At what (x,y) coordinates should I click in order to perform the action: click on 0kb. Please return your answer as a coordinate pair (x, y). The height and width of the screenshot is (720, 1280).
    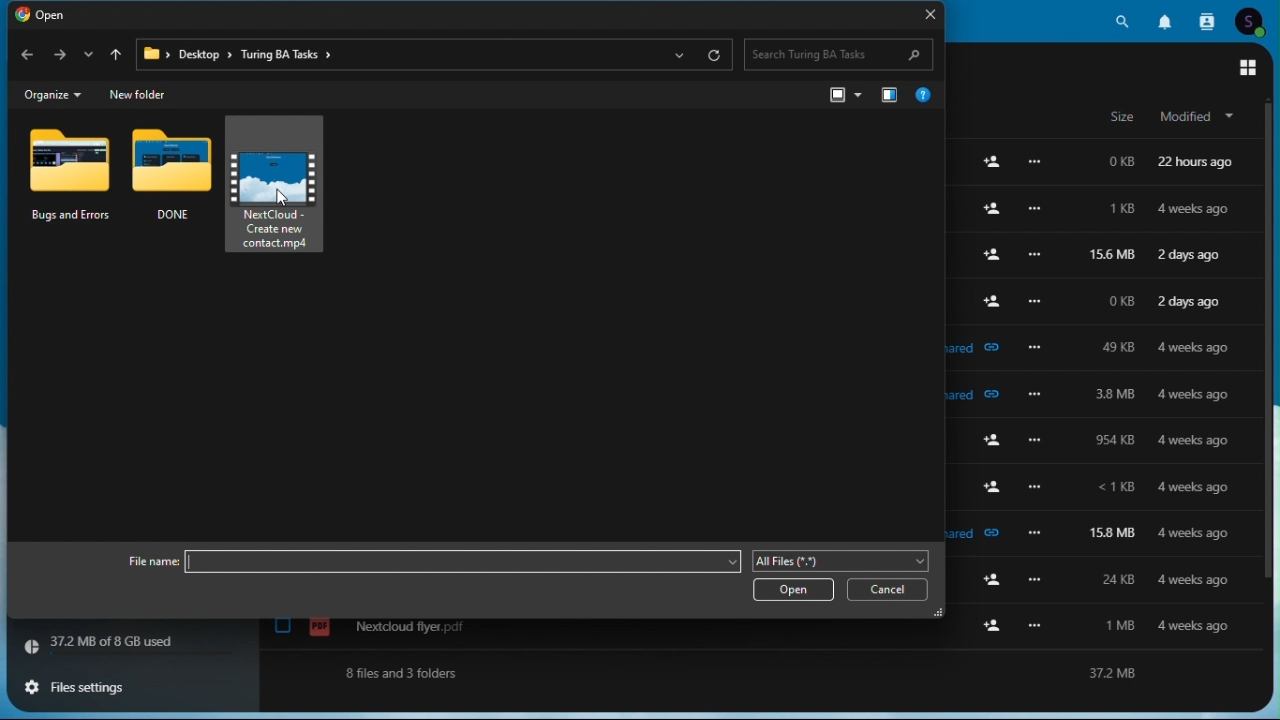
    Looking at the image, I should click on (1117, 161).